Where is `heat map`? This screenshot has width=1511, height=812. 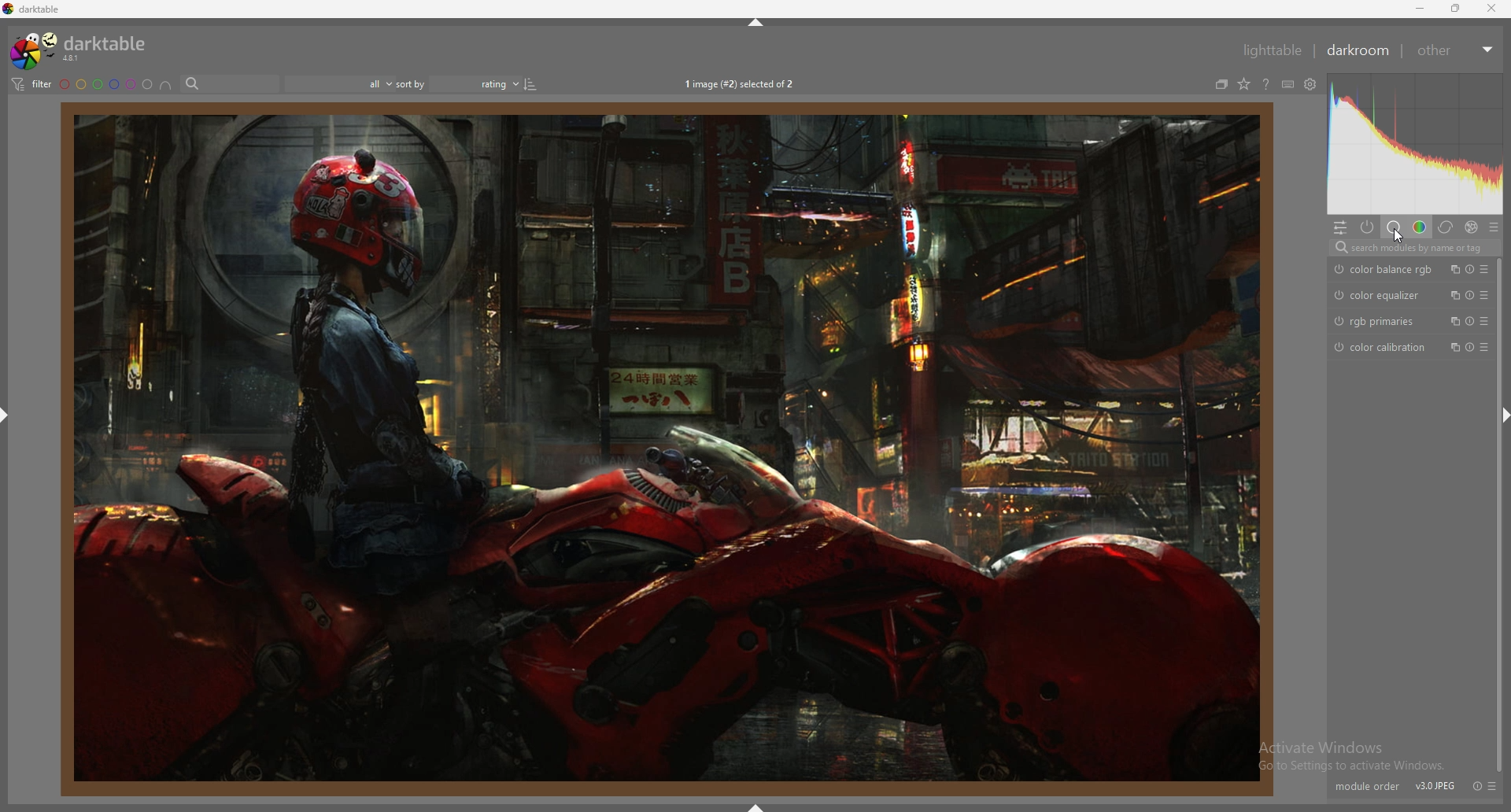 heat map is located at coordinates (1414, 143).